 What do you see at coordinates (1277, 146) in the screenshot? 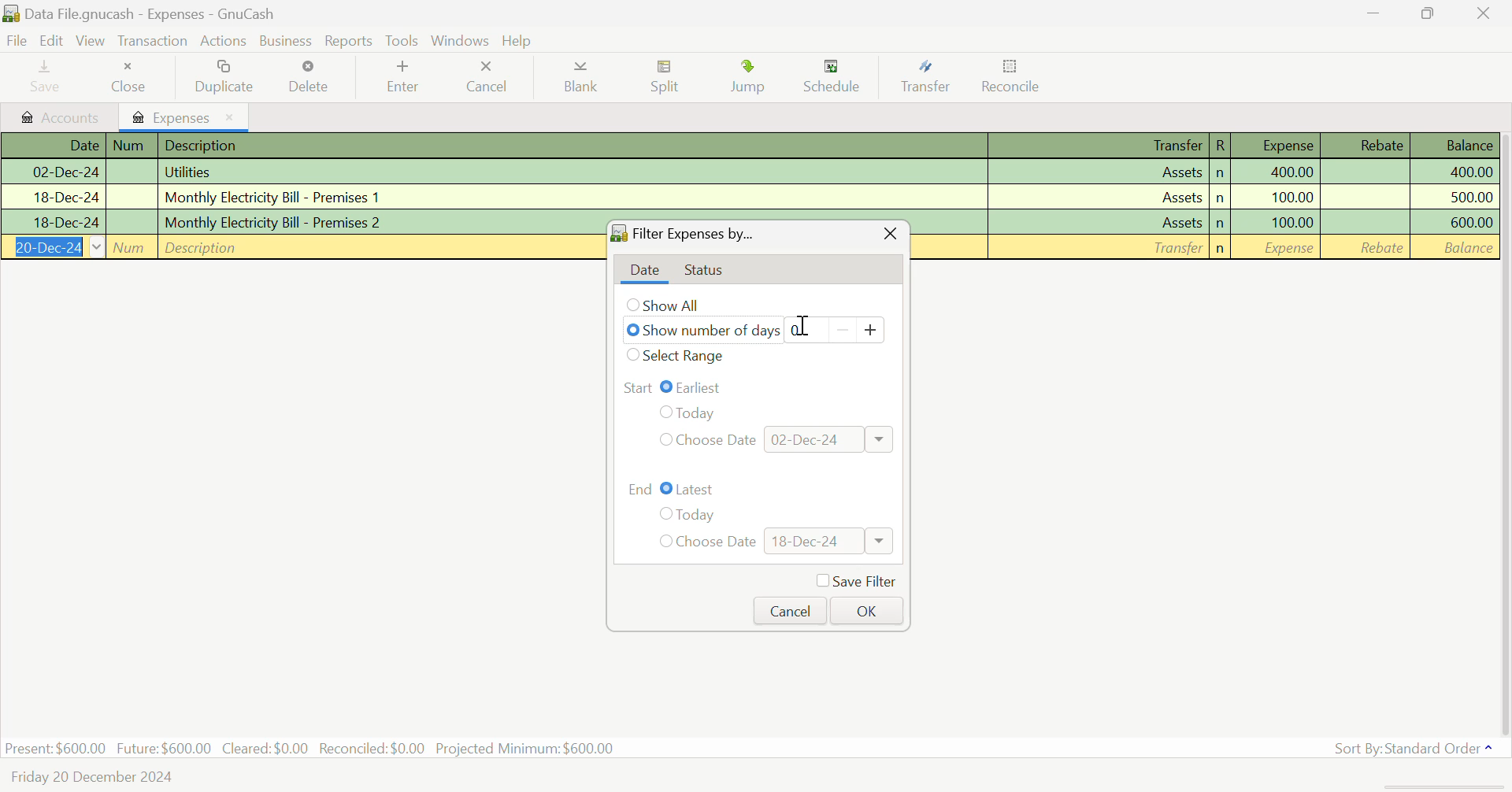
I see `Expense` at bounding box center [1277, 146].